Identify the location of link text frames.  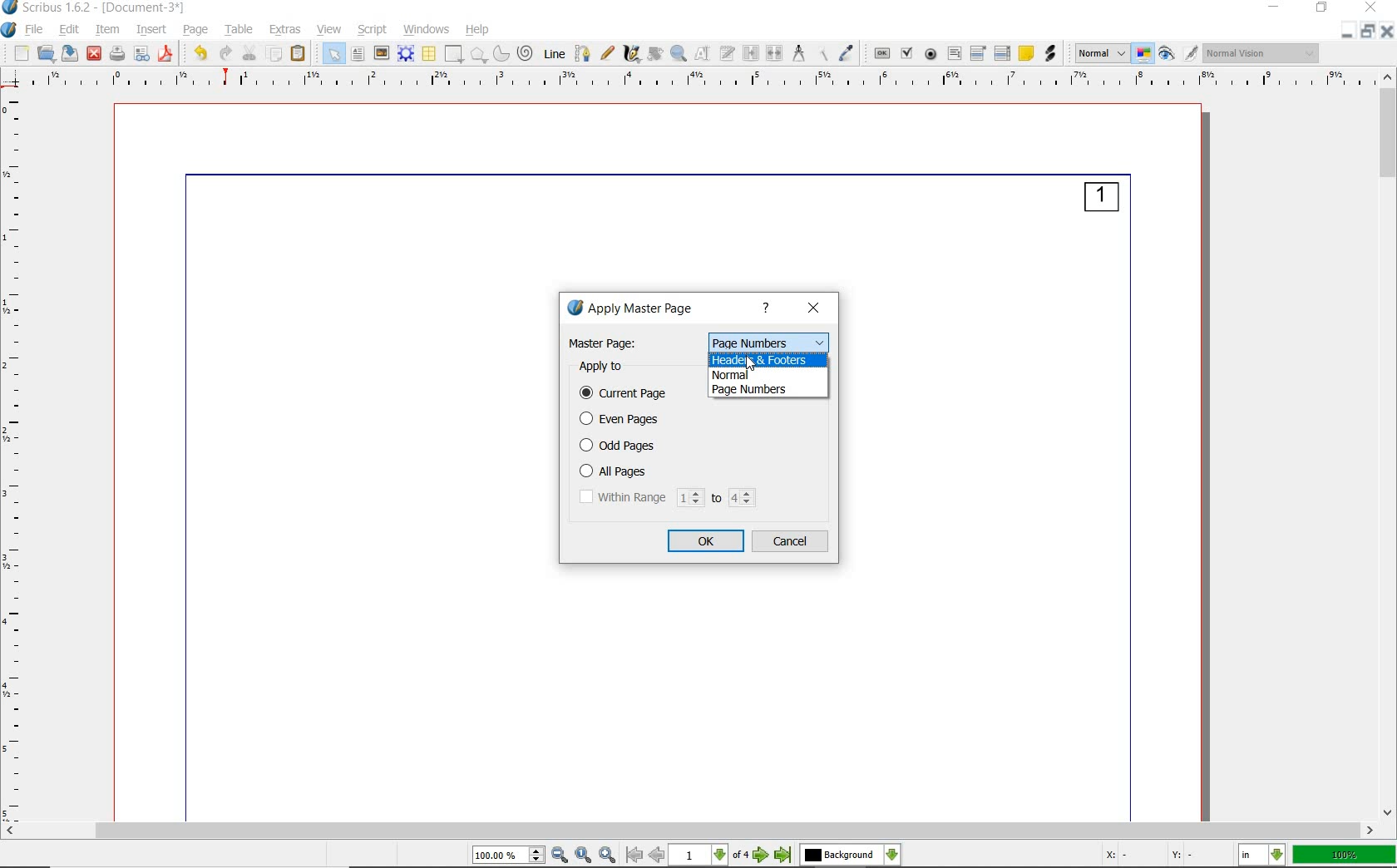
(749, 52).